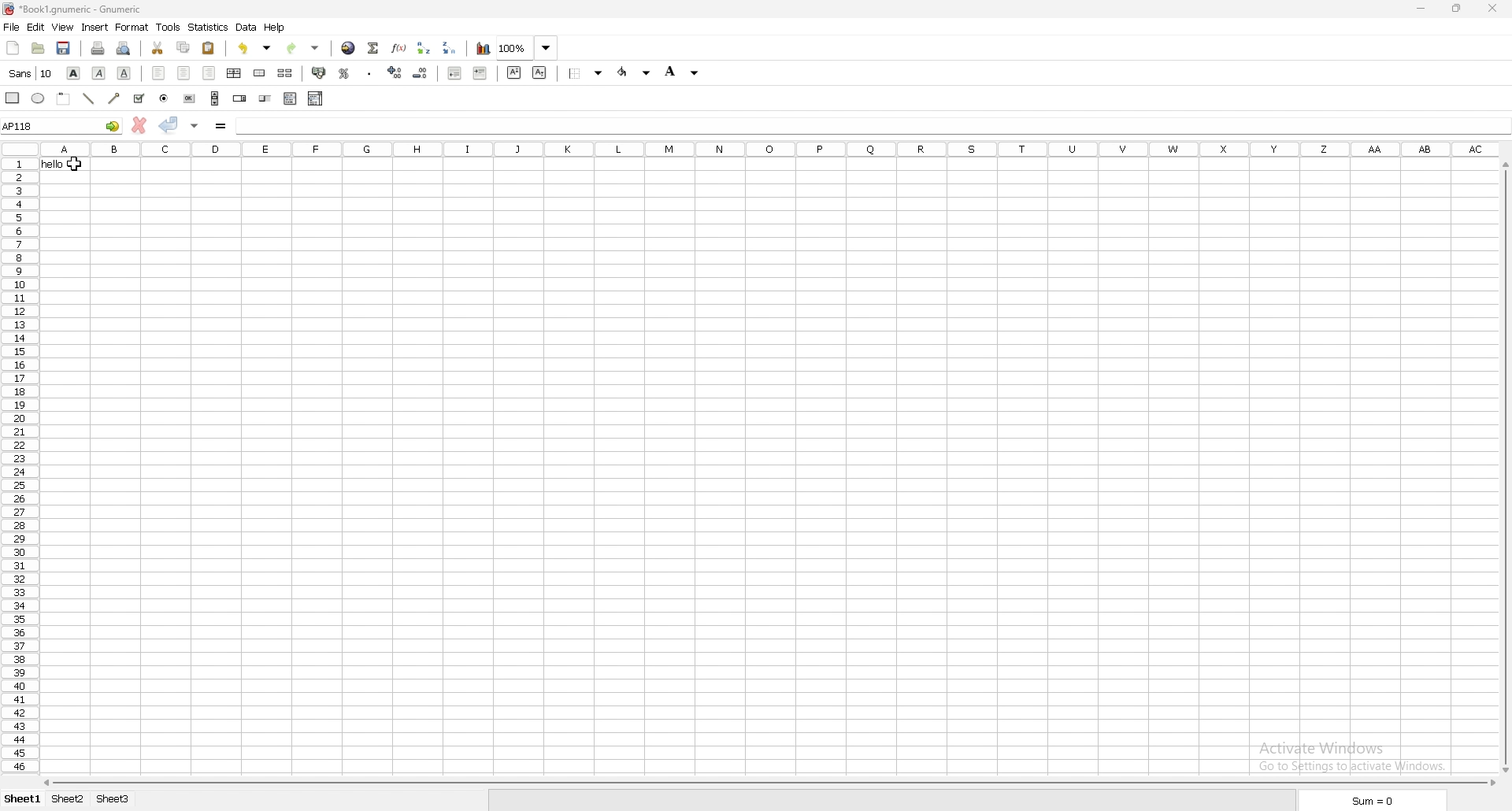 The height and width of the screenshot is (811, 1512). Describe the element at coordinates (38, 48) in the screenshot. I see `open` at that location.